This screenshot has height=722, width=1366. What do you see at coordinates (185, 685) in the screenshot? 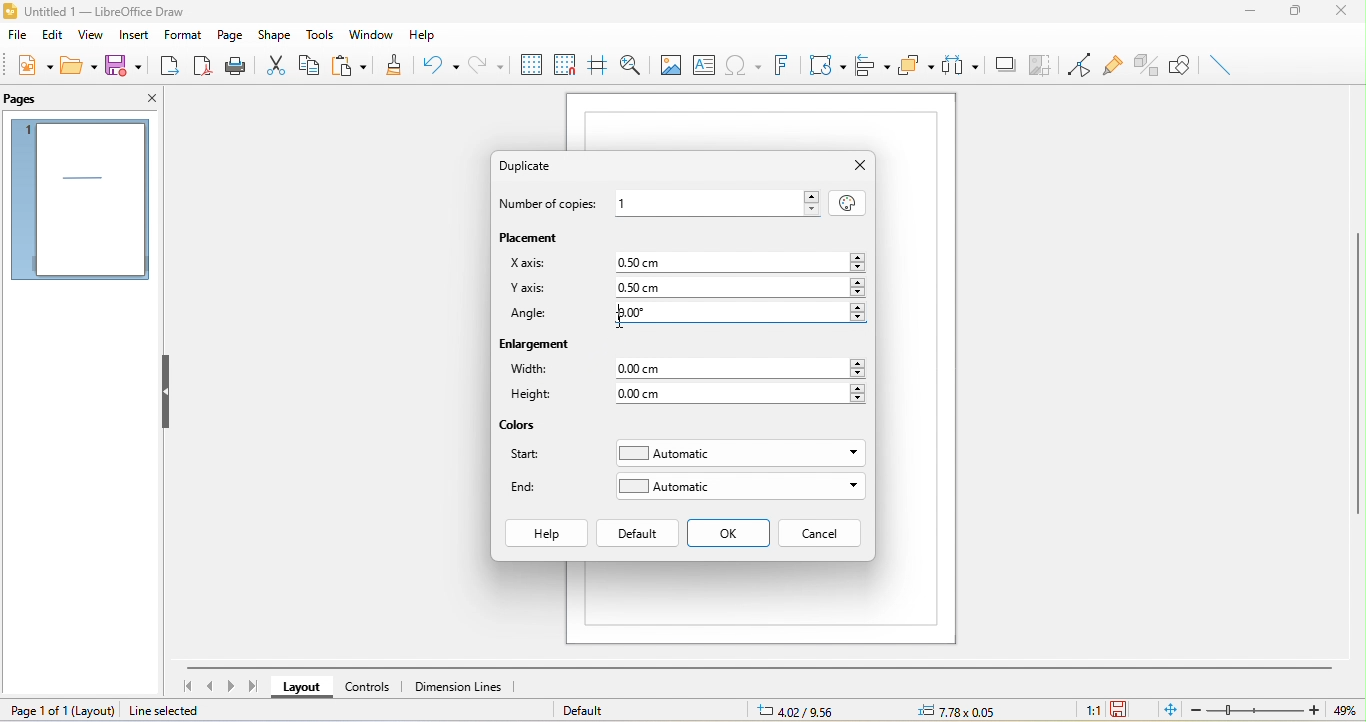
I see `first page` at bounding box center [185, 685].